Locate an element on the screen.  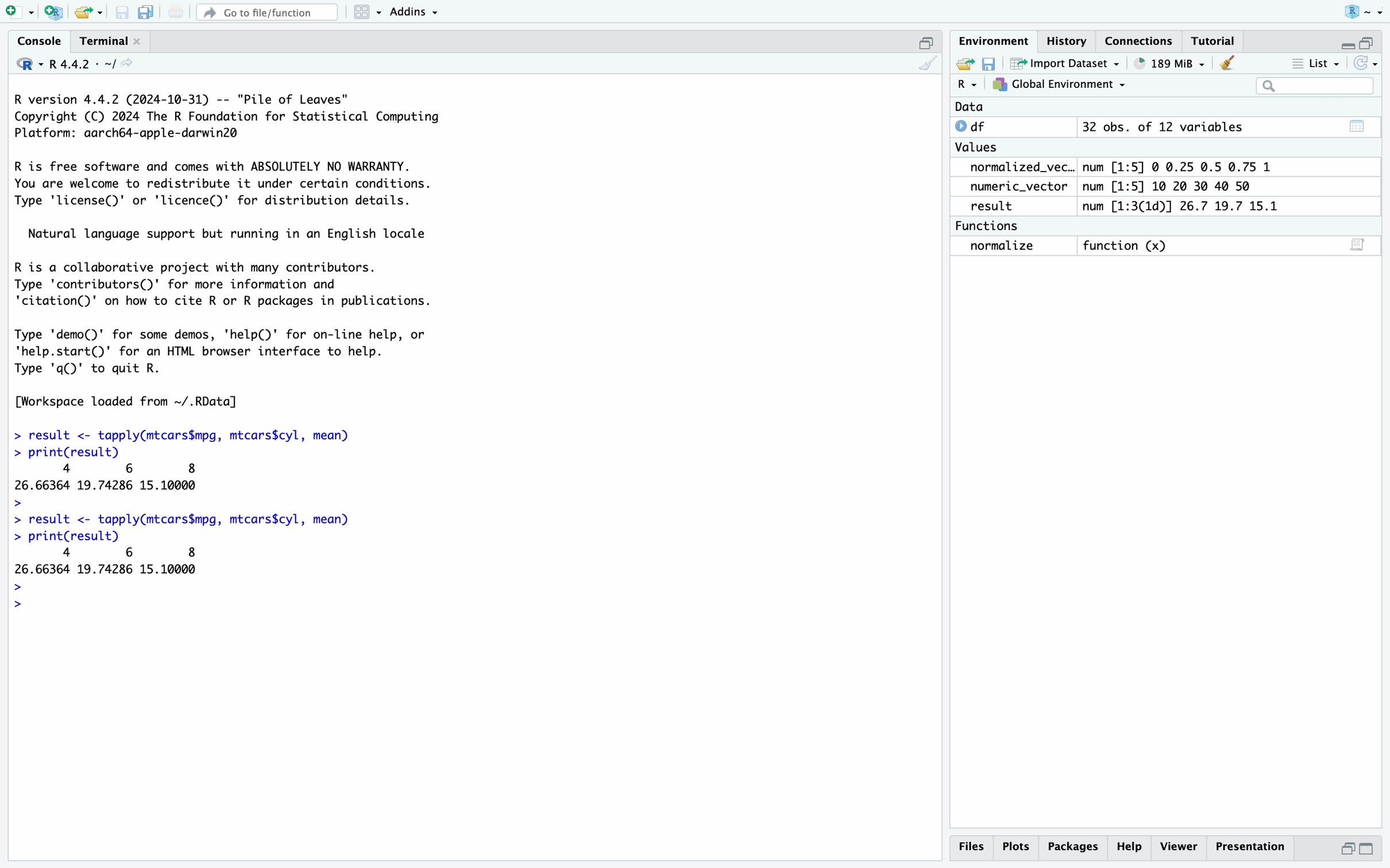
Connections is located at coordinates (1140, 40).